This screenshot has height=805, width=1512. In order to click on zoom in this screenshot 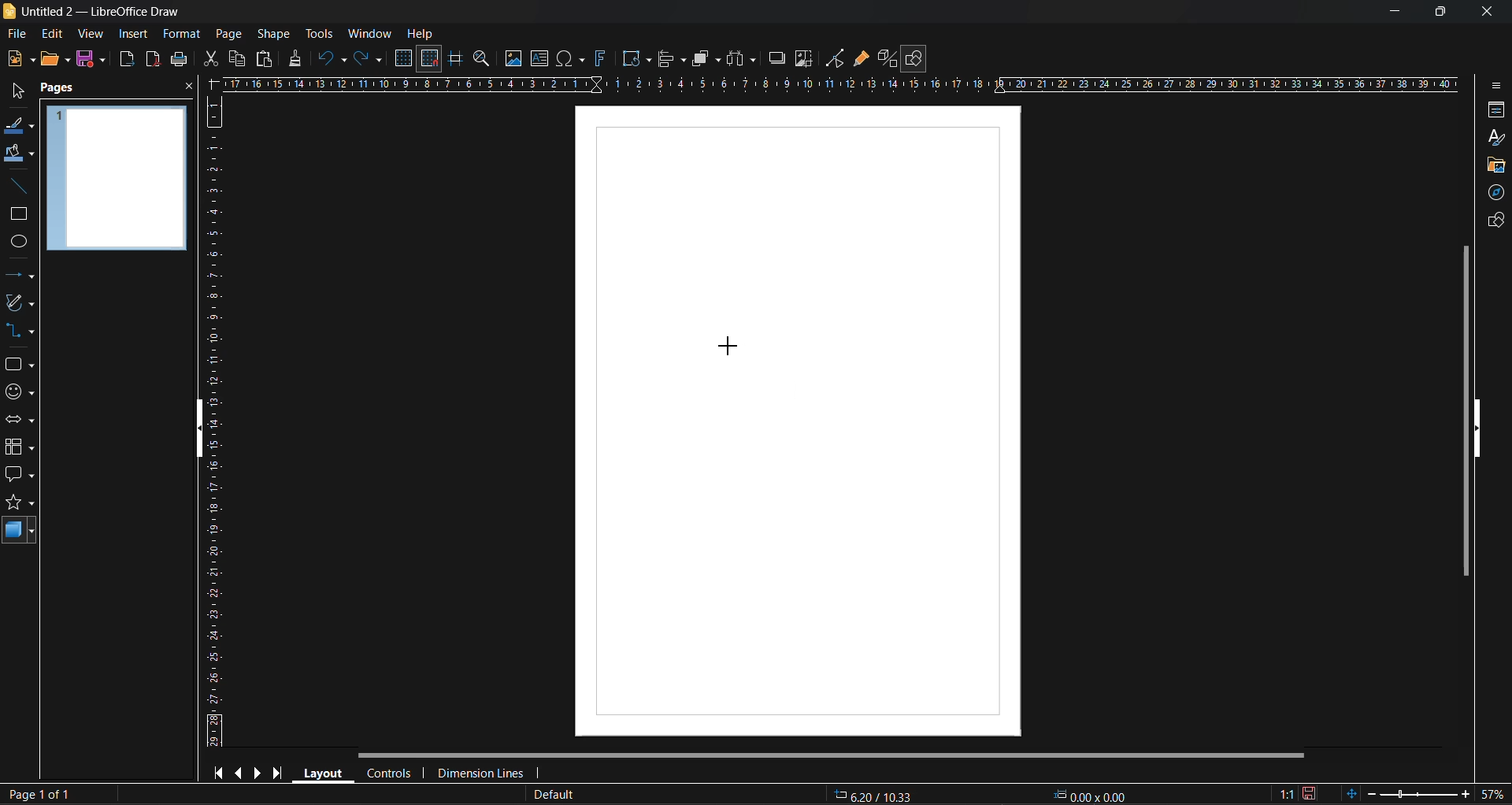, I will do `click(484, 61)`.